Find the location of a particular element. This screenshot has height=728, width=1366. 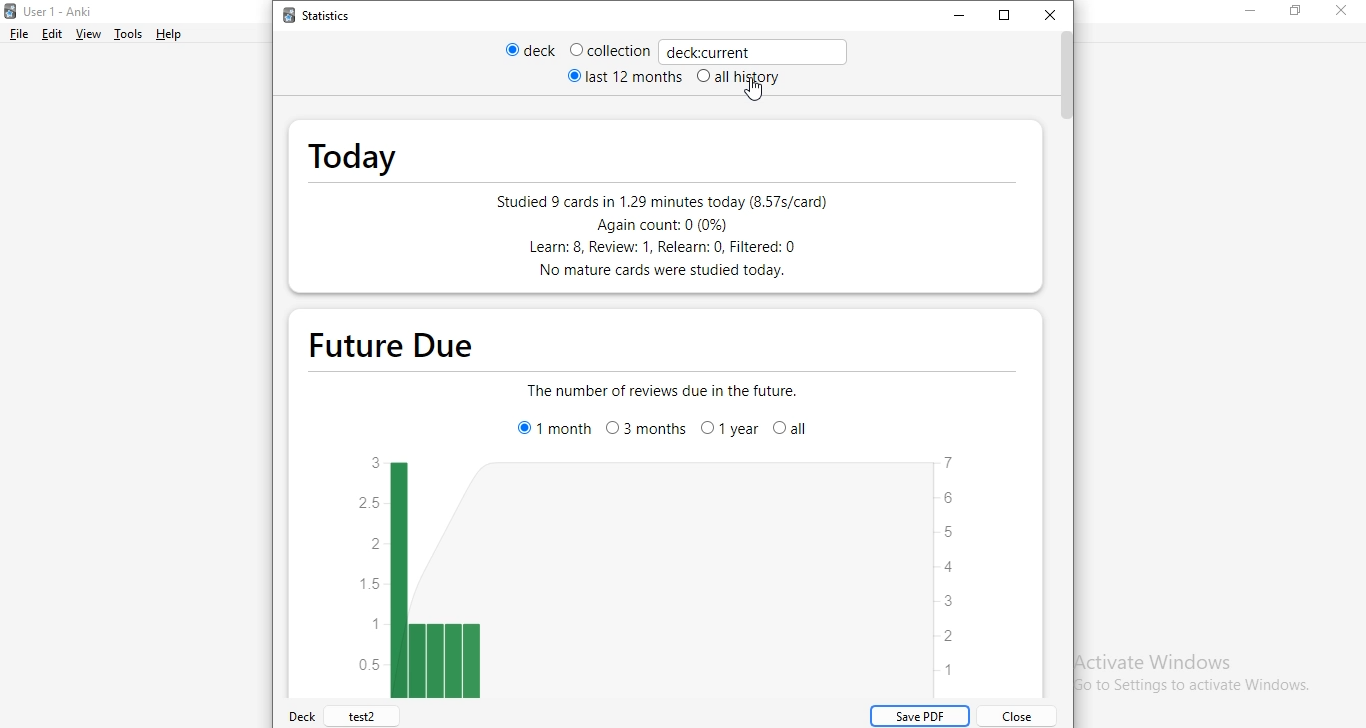

activate windows is located at coordinates (1183, 672).